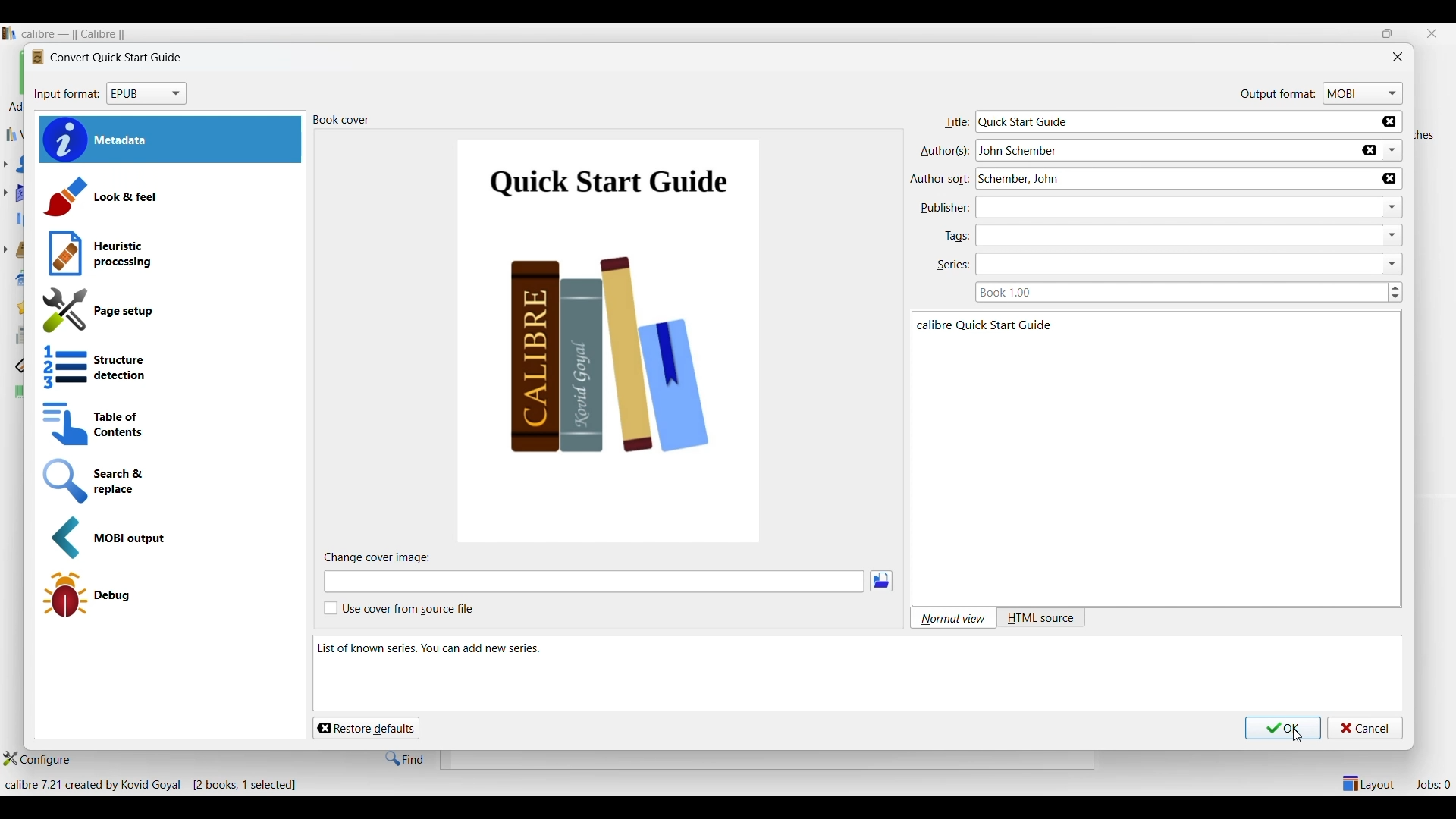  What do you see at coordinates (146, 94) in the screenshot?
I see `Format options` at bounding box center [146, 94].